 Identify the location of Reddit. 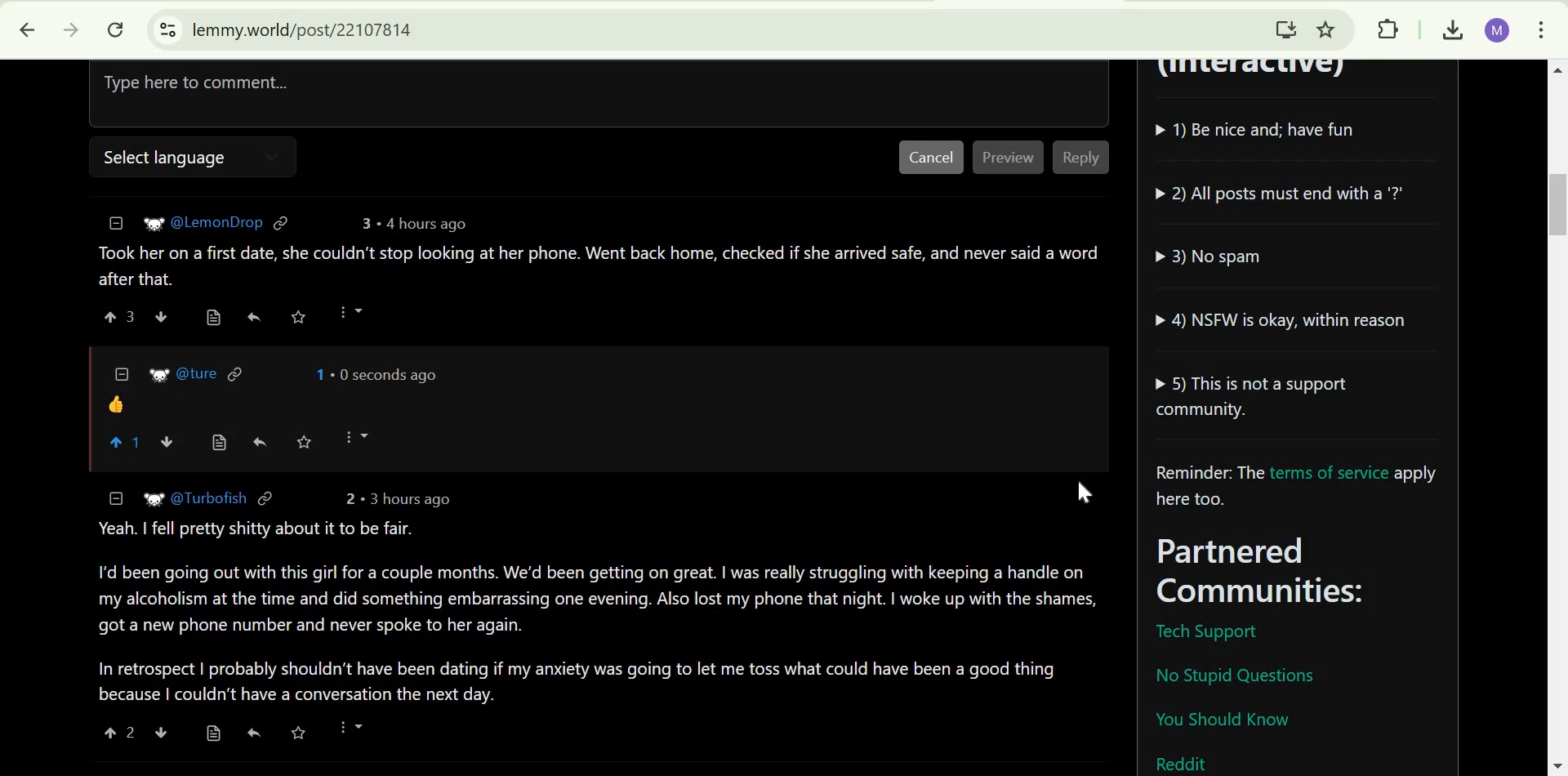
(1183, 761).